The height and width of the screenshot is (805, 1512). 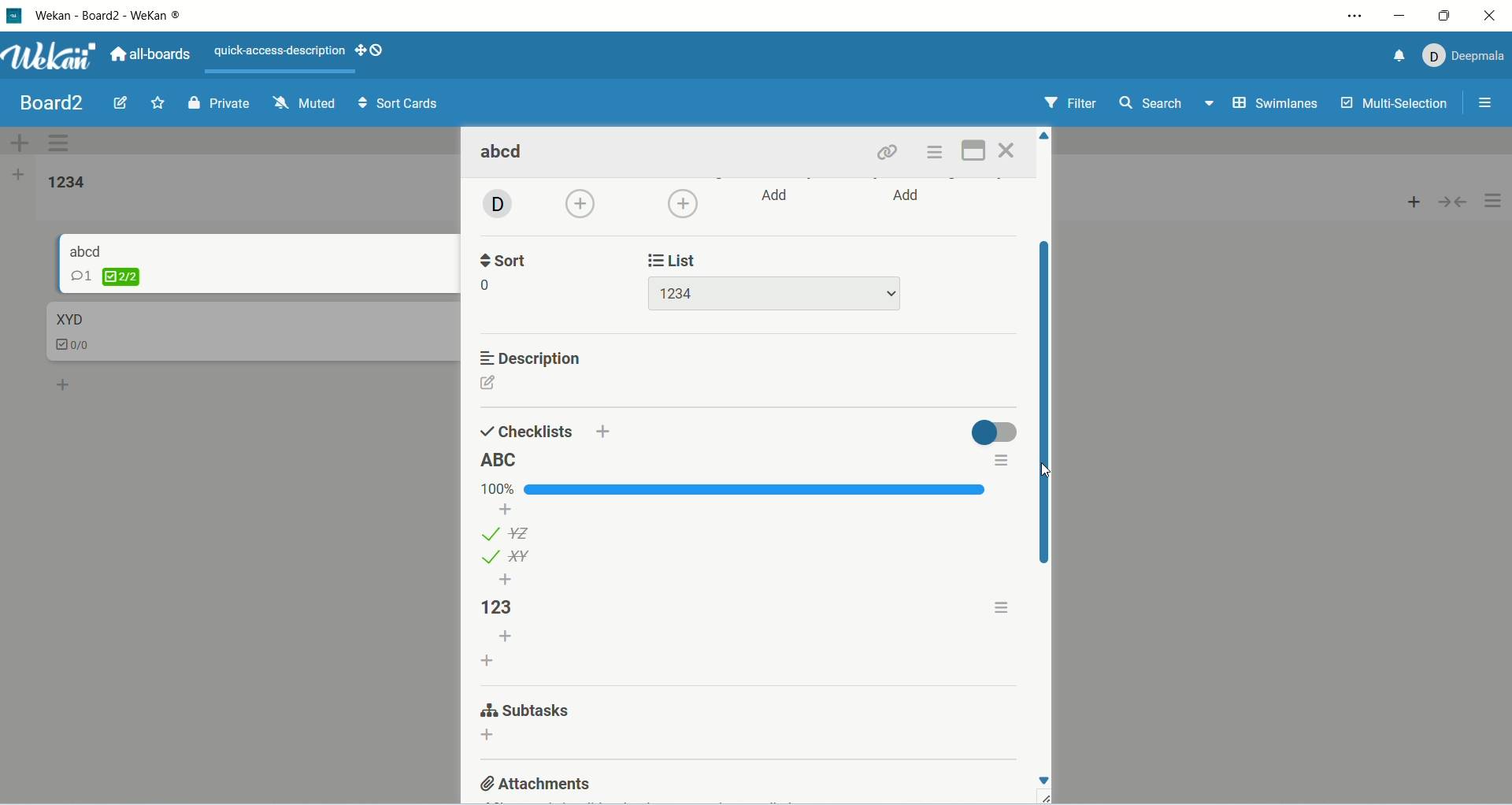 I want to click on progress, so click(x=736, y=489).